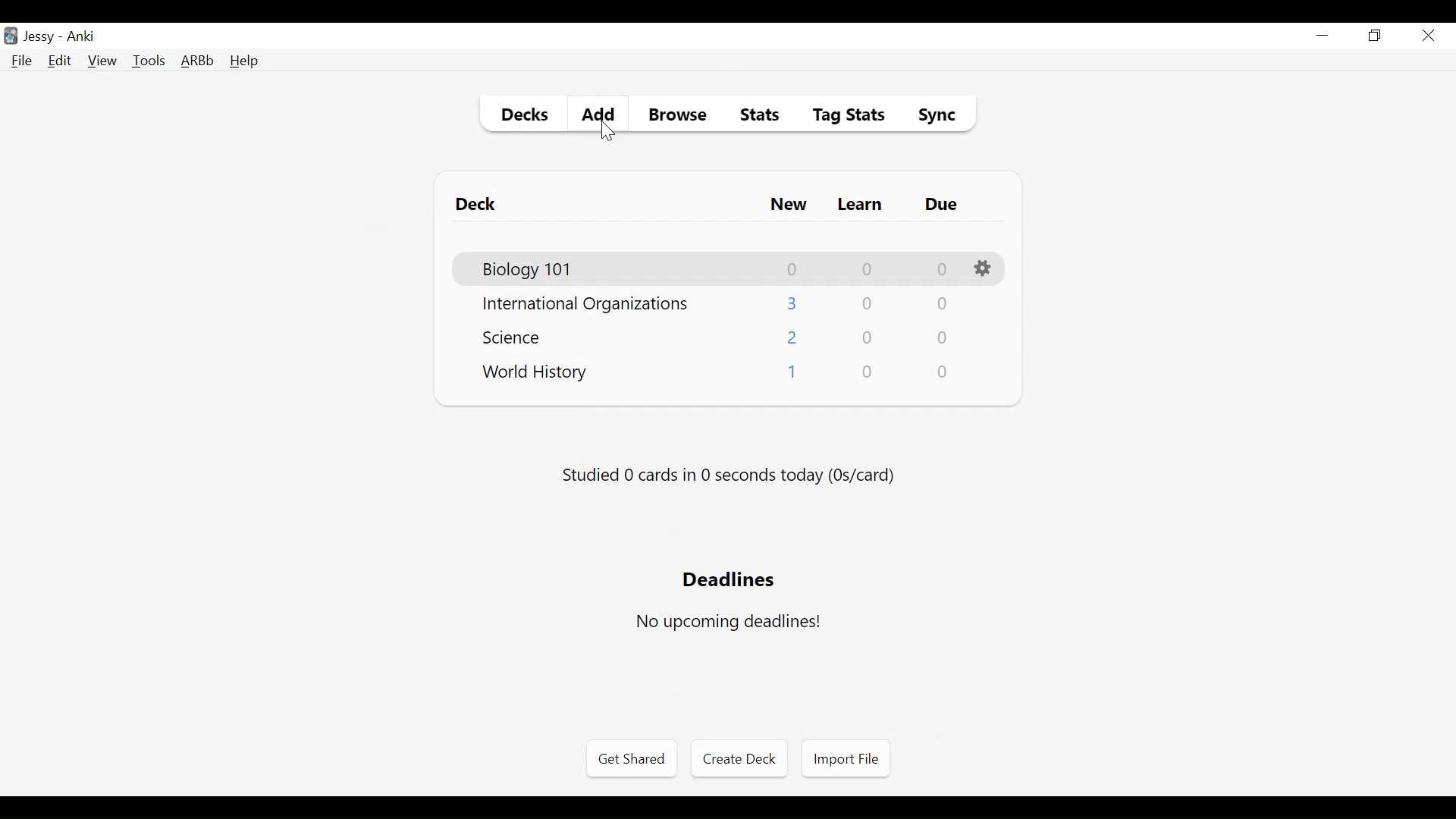 This screenshot has height=819, width=1456. Describe the element at coordinates (42, 37) in the screenshot. I see `User Nmae` at that location.